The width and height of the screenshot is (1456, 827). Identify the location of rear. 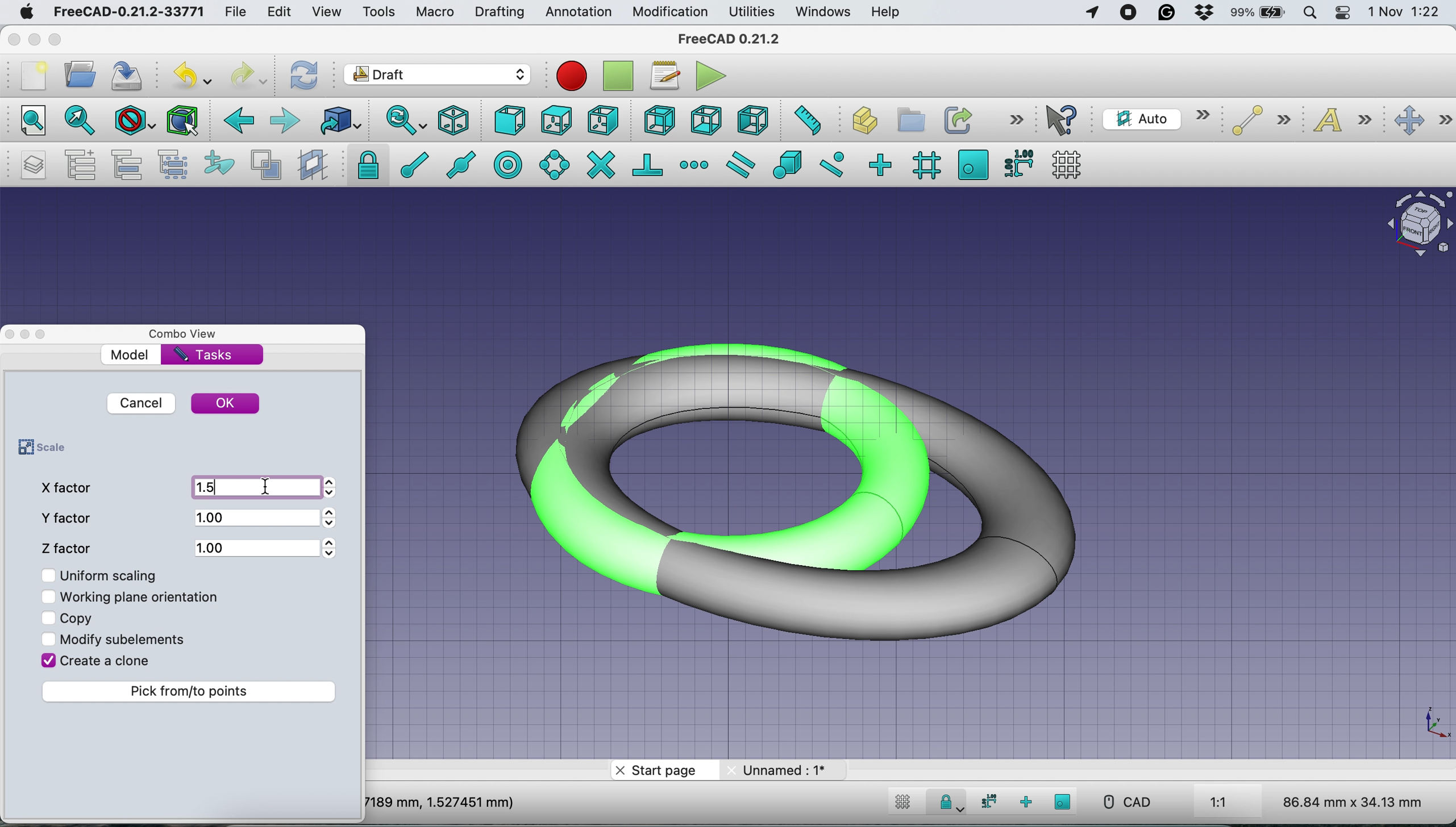
(658, 122).